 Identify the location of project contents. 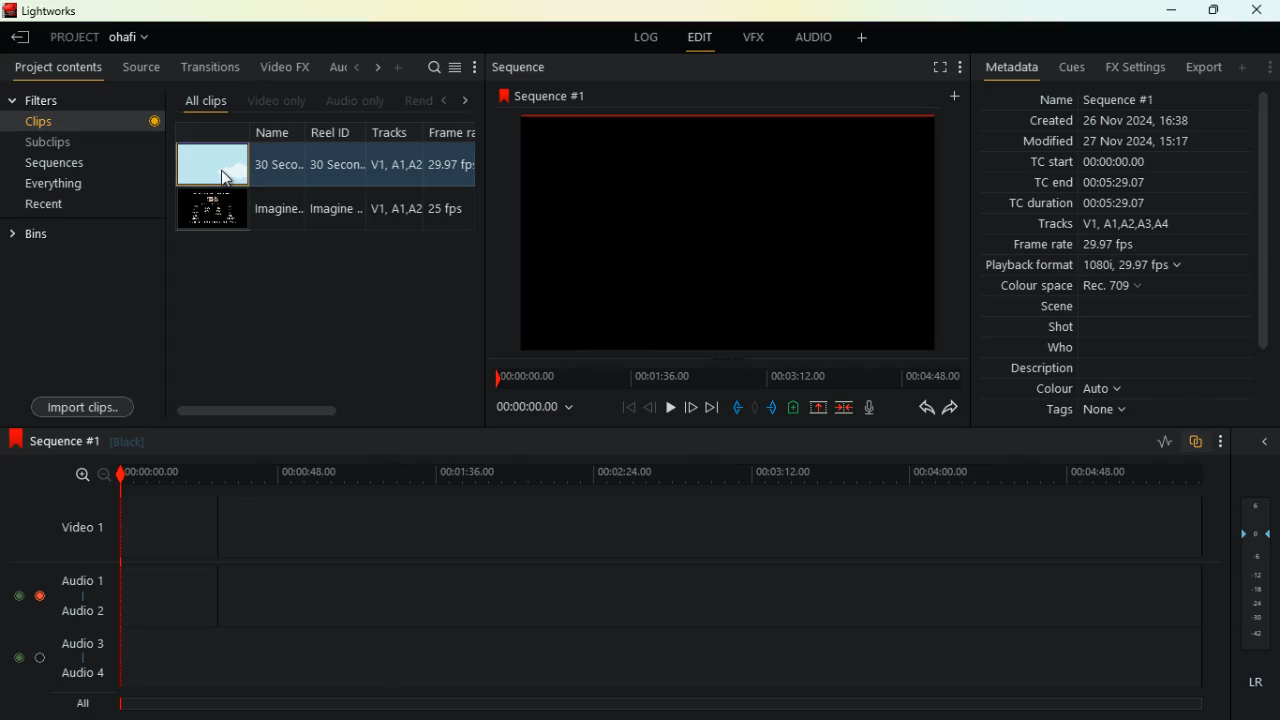
(63, 68).